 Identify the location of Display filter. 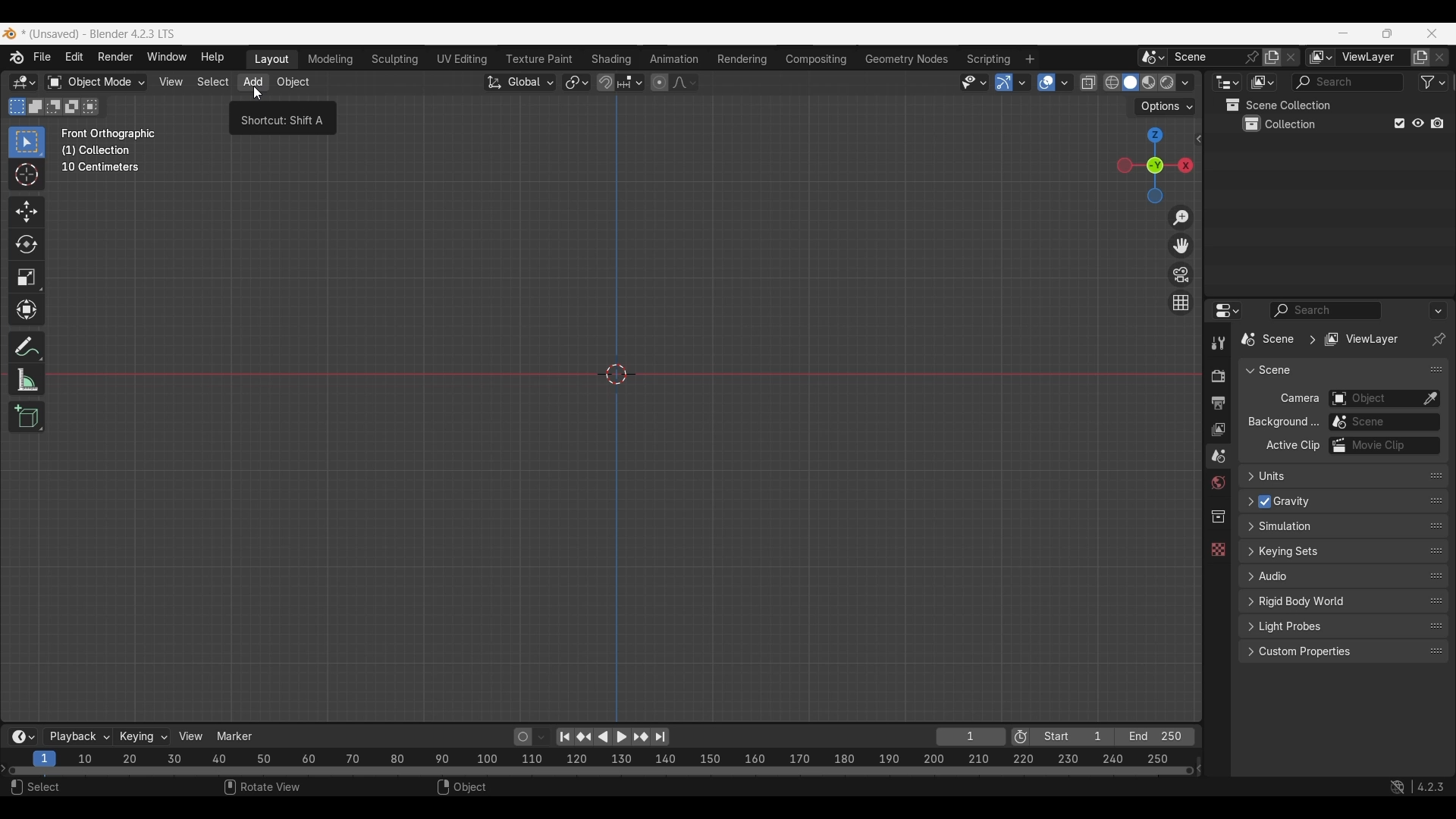
(1326, 310).